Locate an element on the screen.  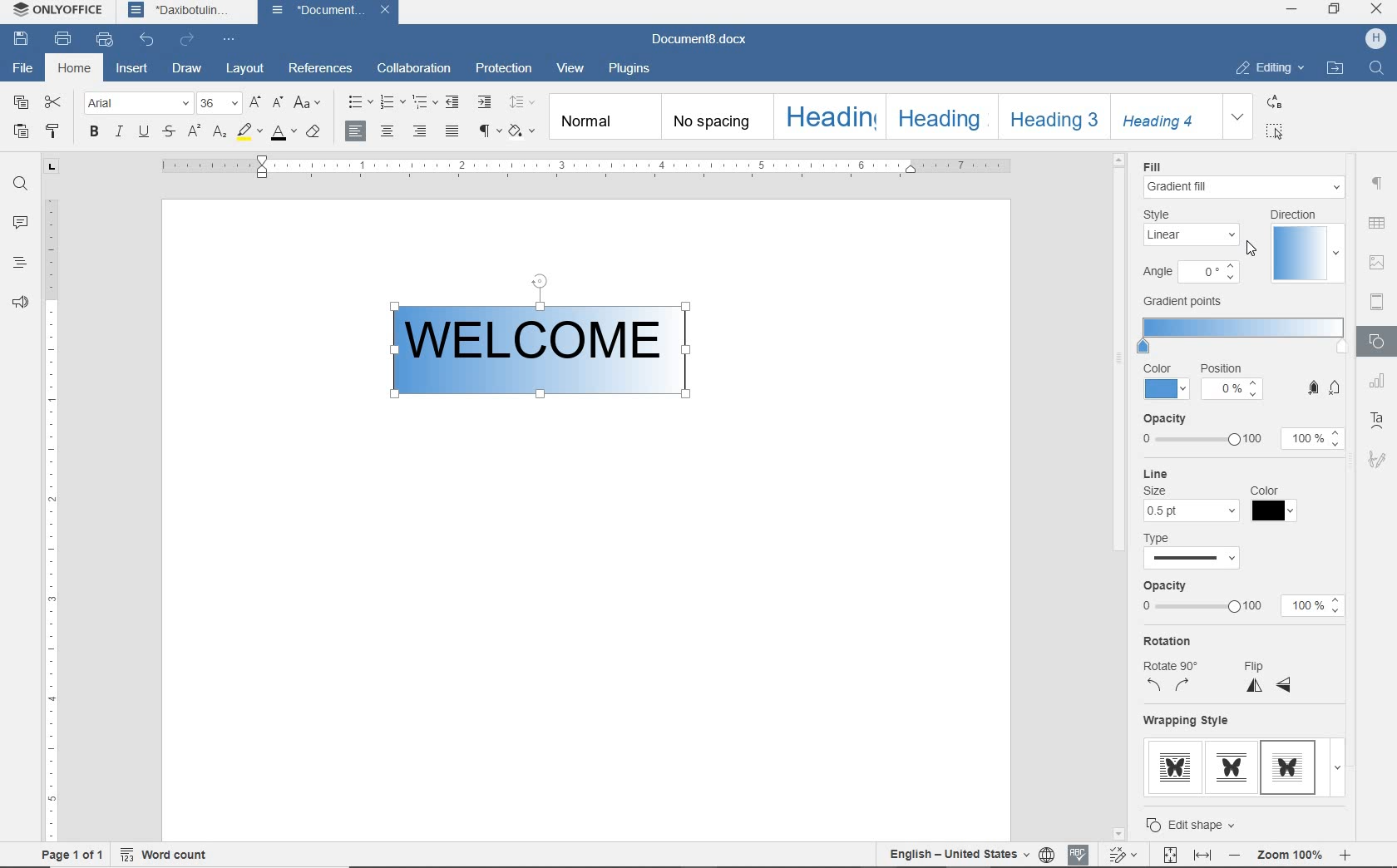
FONT COLOR is located at coordinates (282, 134).